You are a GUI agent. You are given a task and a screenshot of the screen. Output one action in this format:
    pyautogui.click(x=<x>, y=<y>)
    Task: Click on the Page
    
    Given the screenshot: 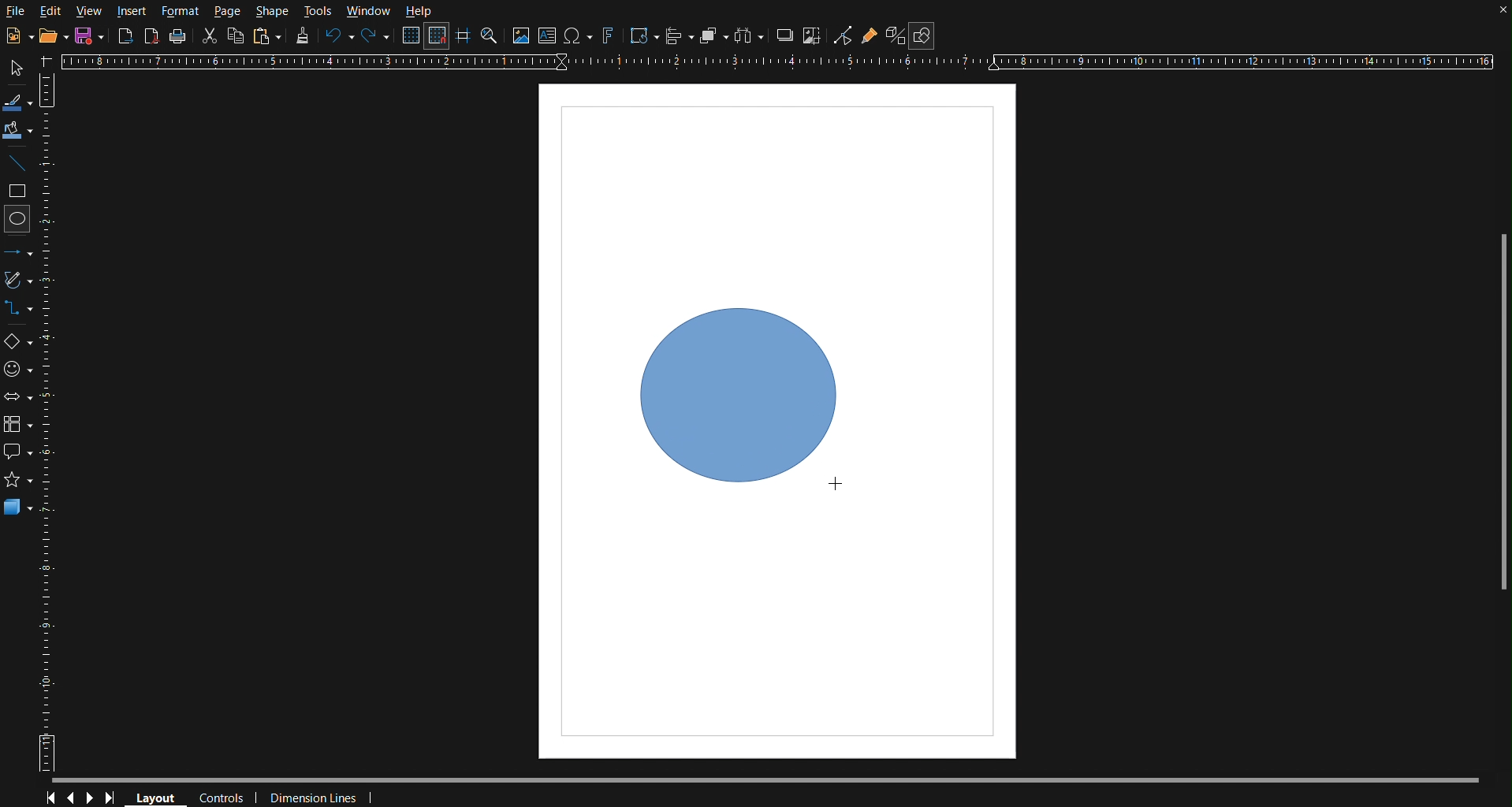 What is the action you would take?
    pyautogui.click(x=229, y=11)
    